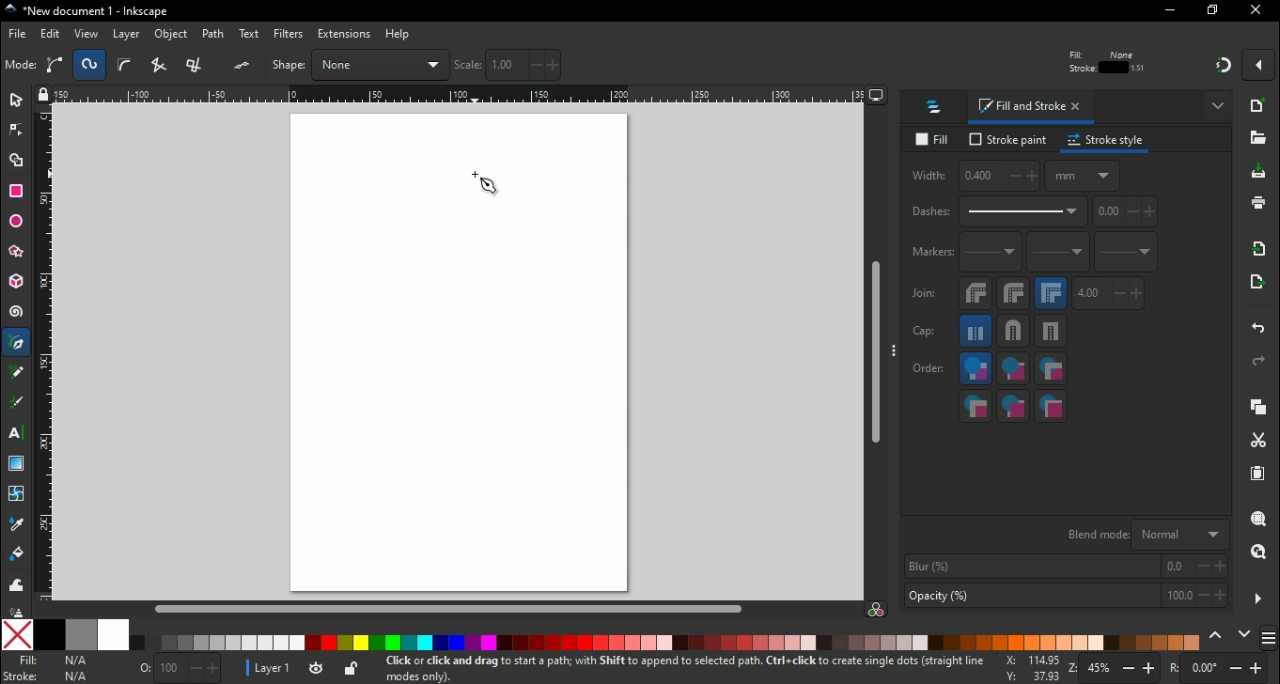 Image resolution: width=1280 pixels, height=684 pixels. I want to click on units, so click(1084, 180).